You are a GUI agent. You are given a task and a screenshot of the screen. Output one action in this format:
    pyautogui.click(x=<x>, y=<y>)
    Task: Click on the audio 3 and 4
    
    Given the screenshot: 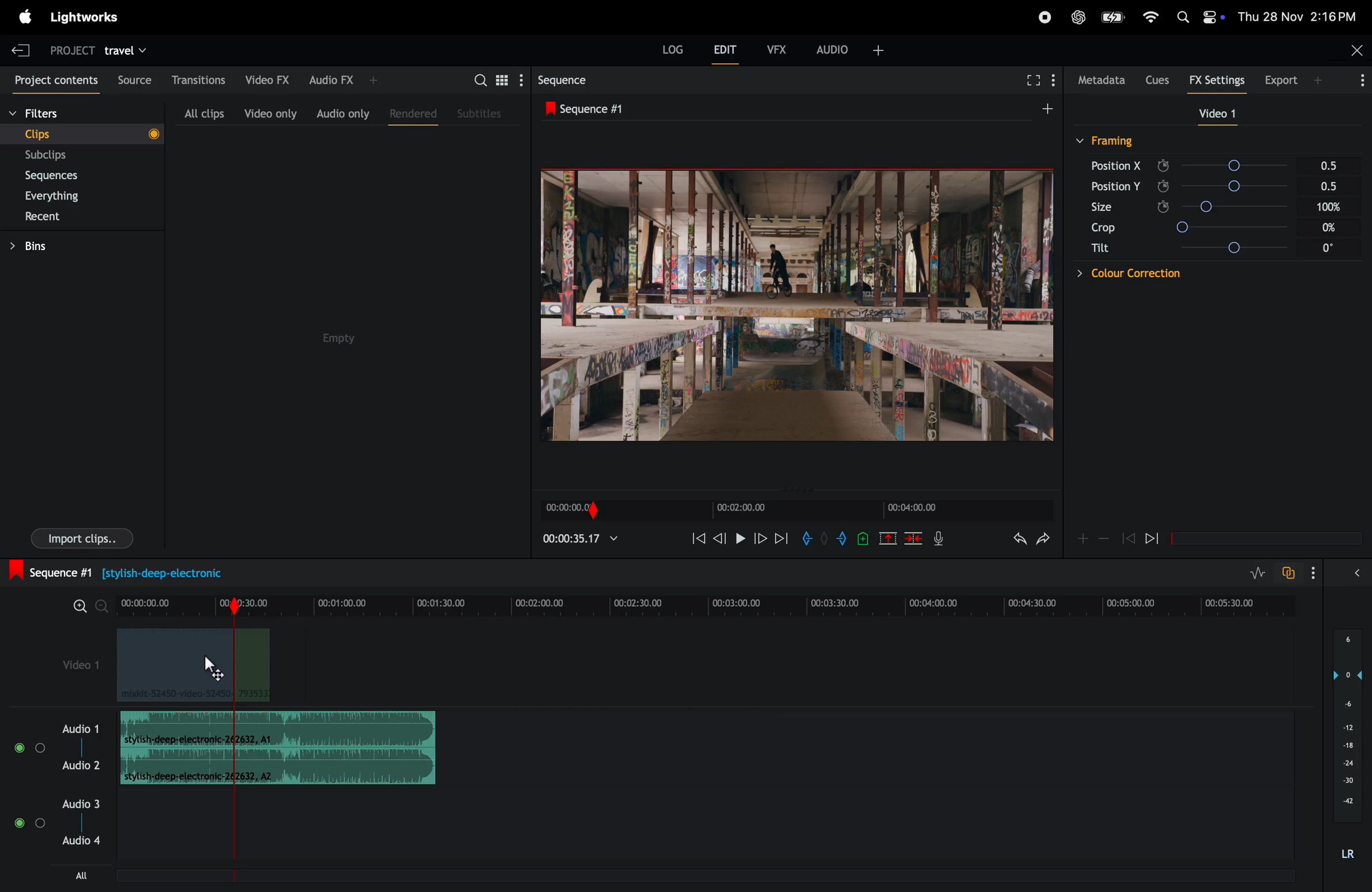 What is the action you would take?
    pyautogui.click(x=65, y=825)
    